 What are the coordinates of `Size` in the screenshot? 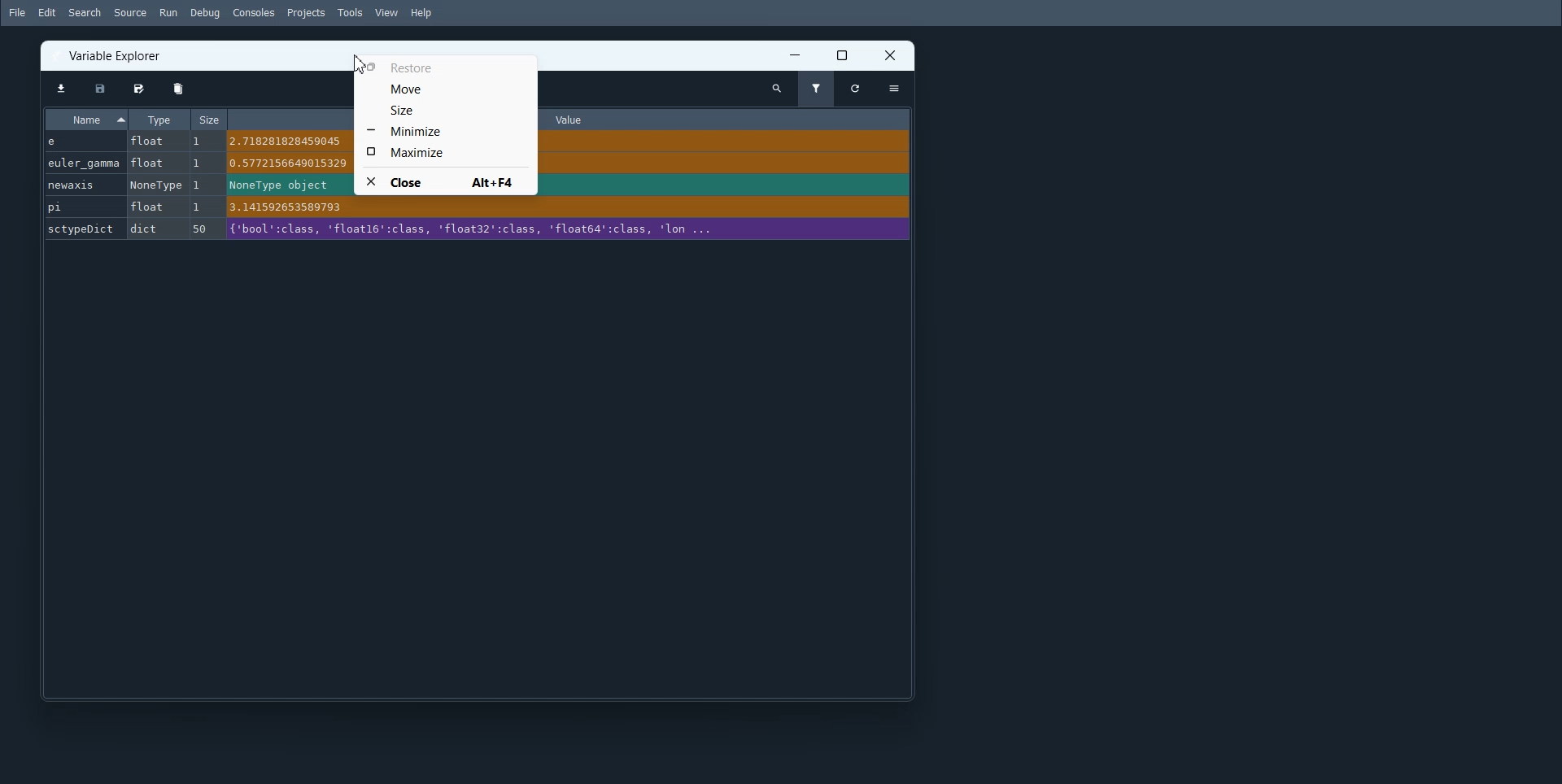 It's located at (445, 110).